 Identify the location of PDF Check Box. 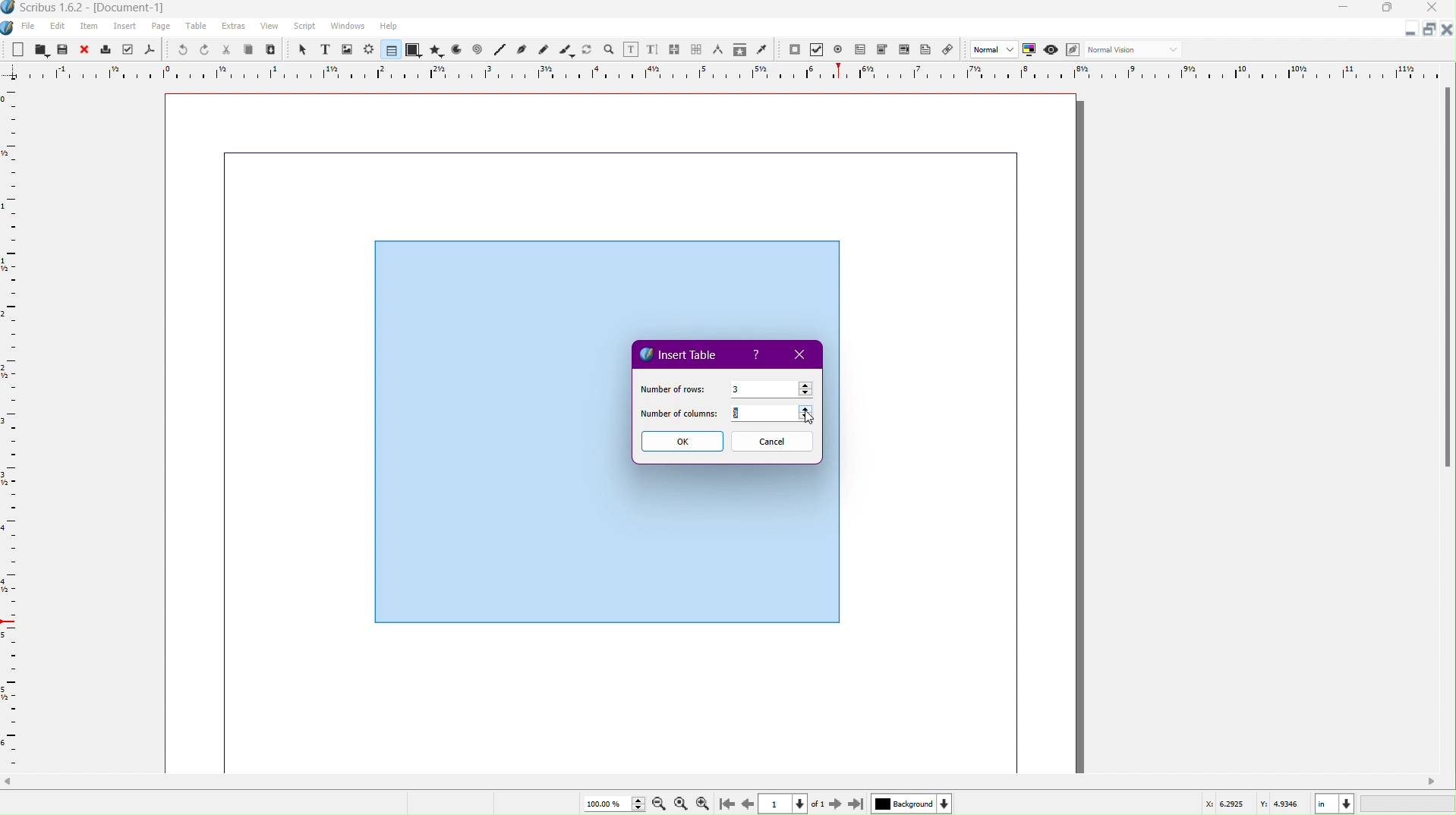
(819, 51).